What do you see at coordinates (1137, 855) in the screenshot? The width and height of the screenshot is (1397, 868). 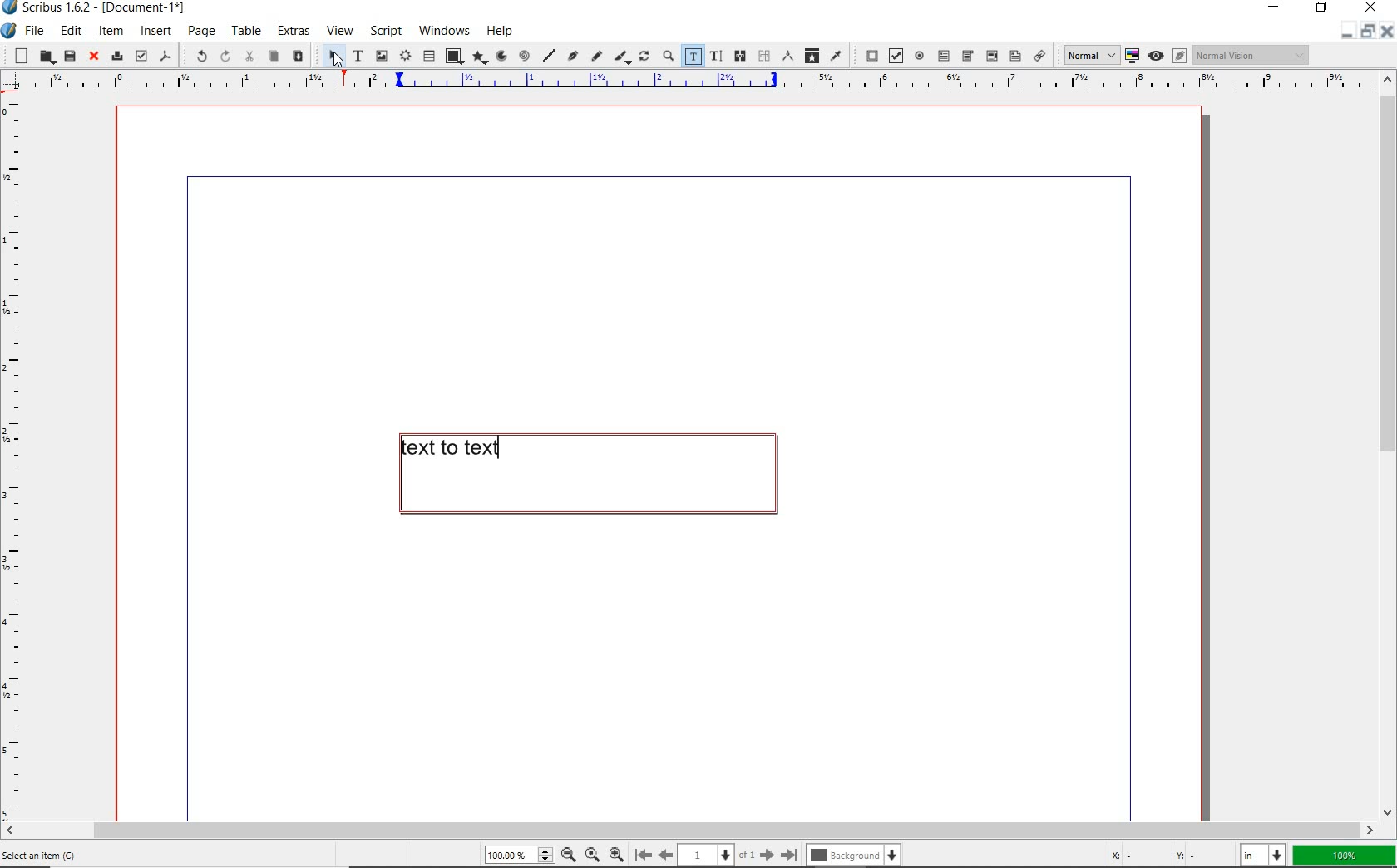 I see `X: -` at bounding box center [1137, 855].